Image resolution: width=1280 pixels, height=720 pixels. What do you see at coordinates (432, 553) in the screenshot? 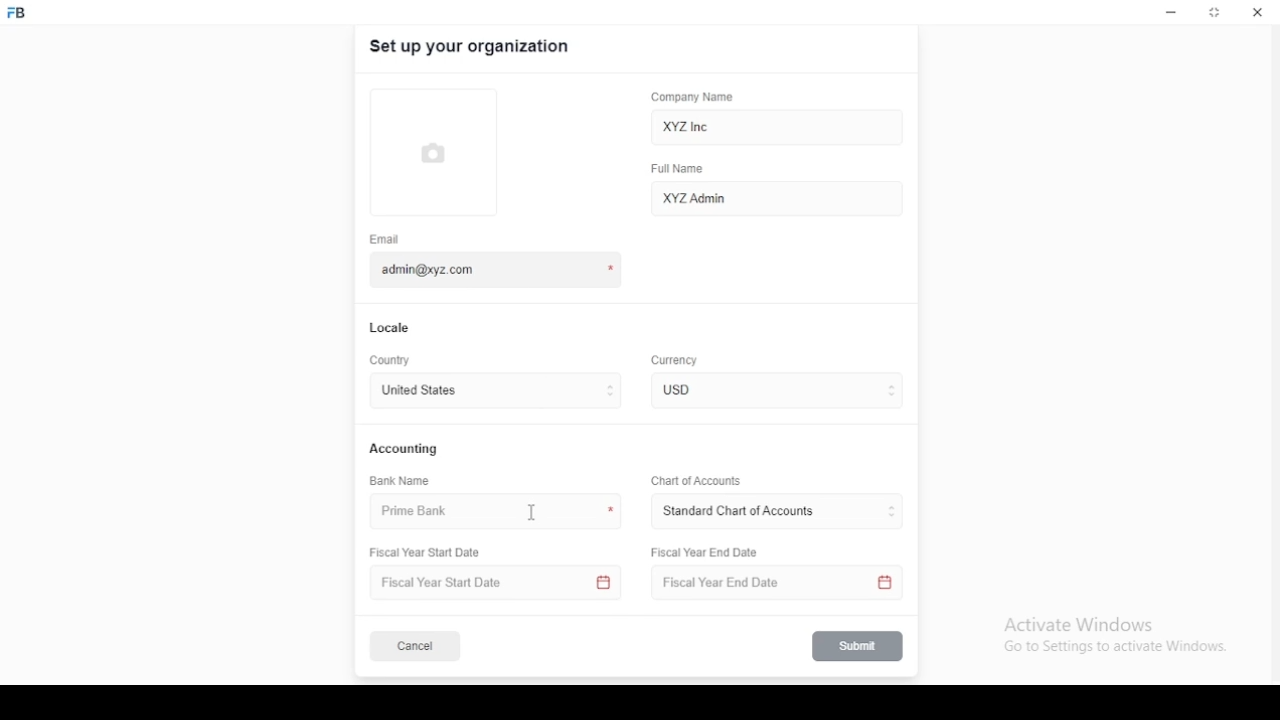
I see `Fiscal Year Start Date` at bounding box center [432, 553].